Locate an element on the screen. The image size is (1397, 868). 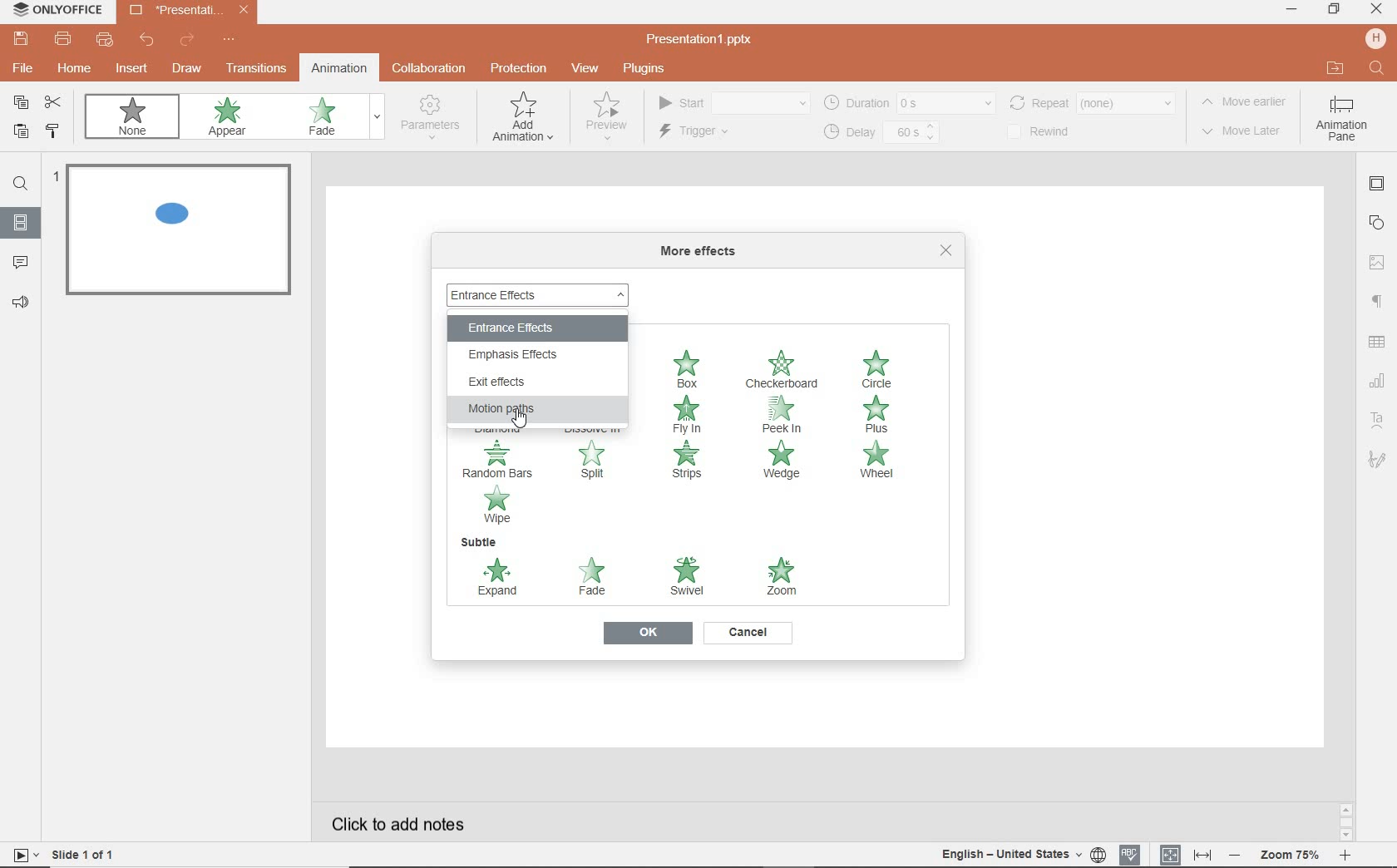
delay is located at coordinates (880, 133).